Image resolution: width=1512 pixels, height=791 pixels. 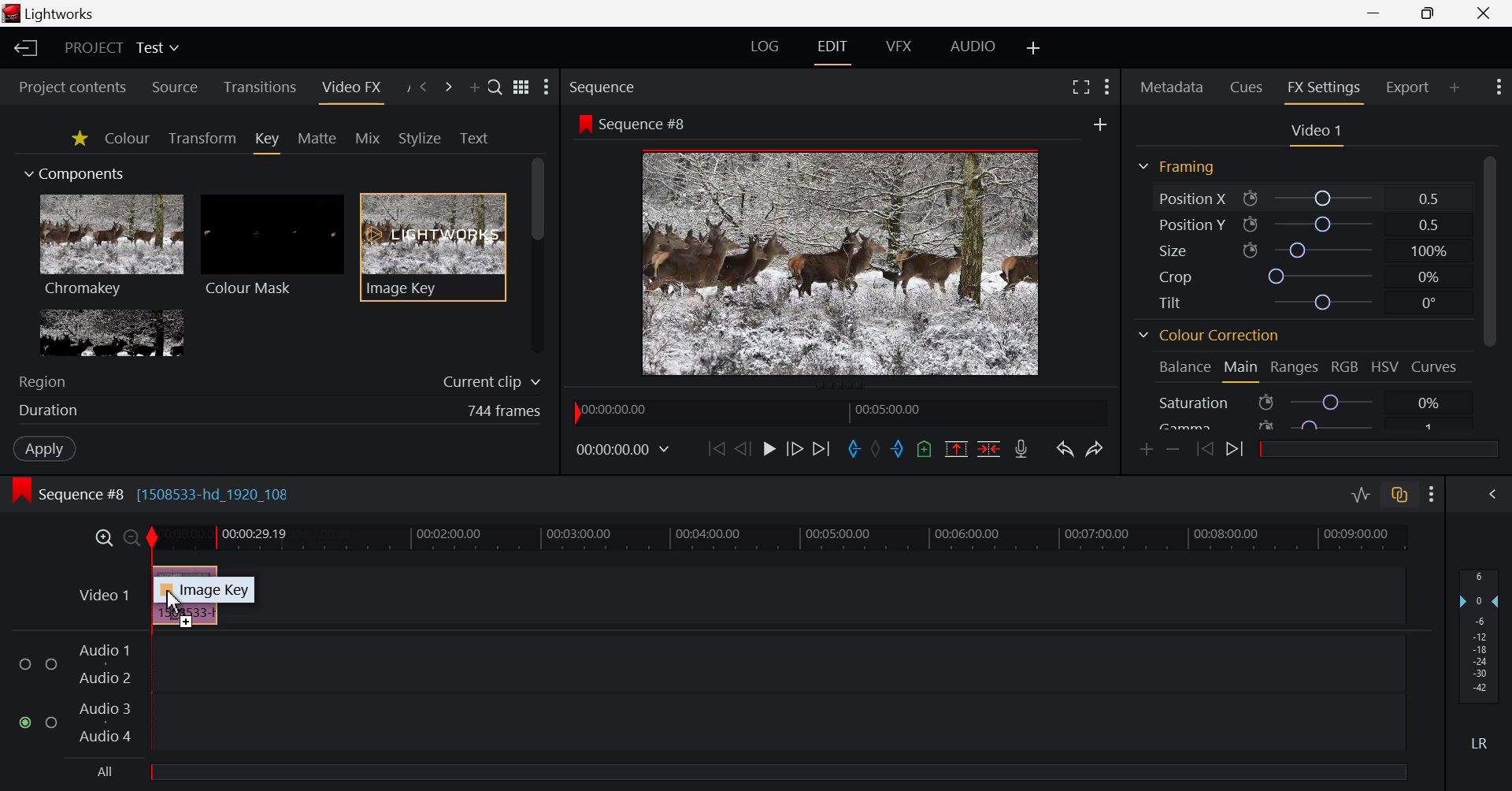 I want to click on Position Y, so click(x=1325, y=226).